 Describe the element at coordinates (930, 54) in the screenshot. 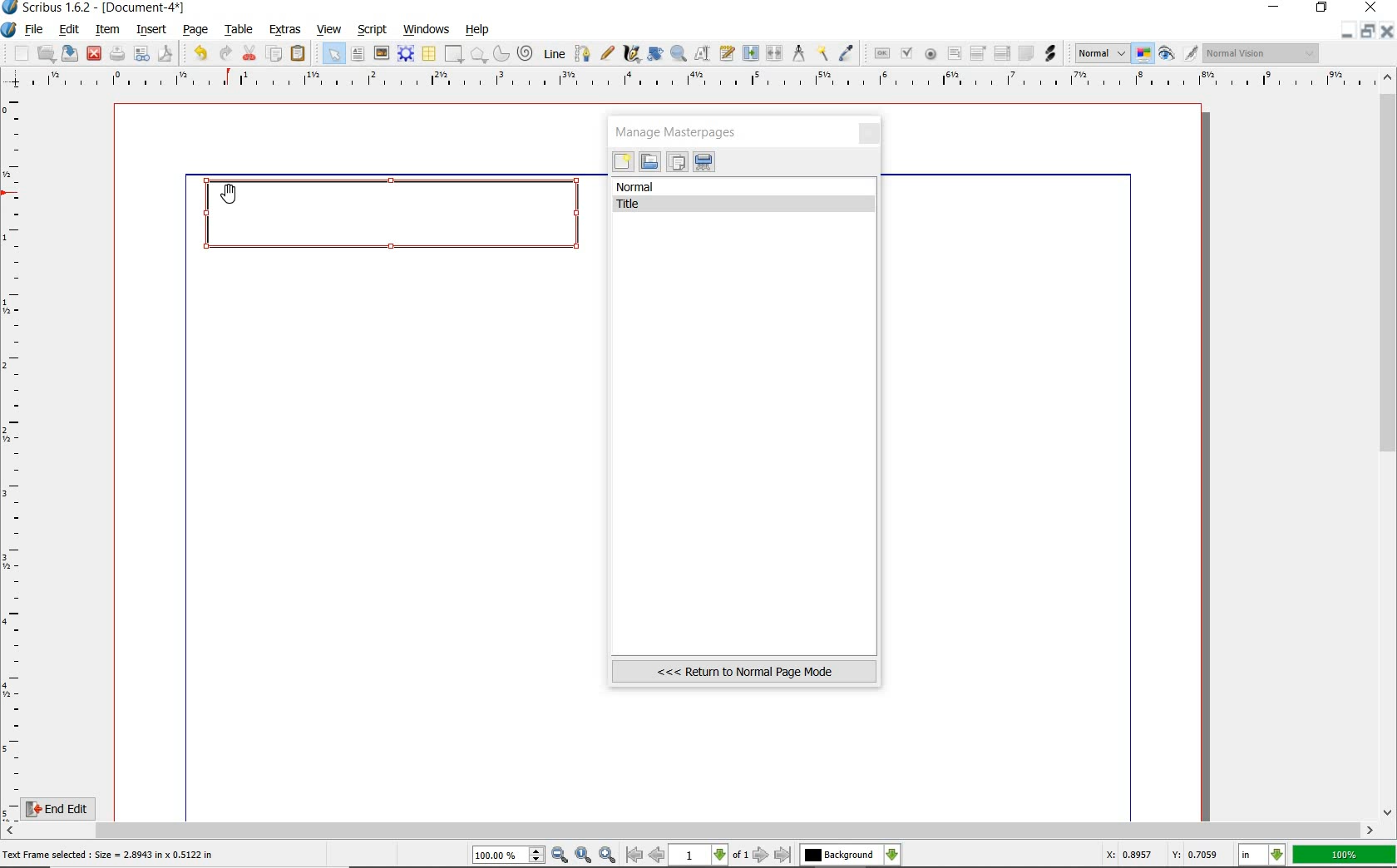

I see `pdf radio button` at that location.